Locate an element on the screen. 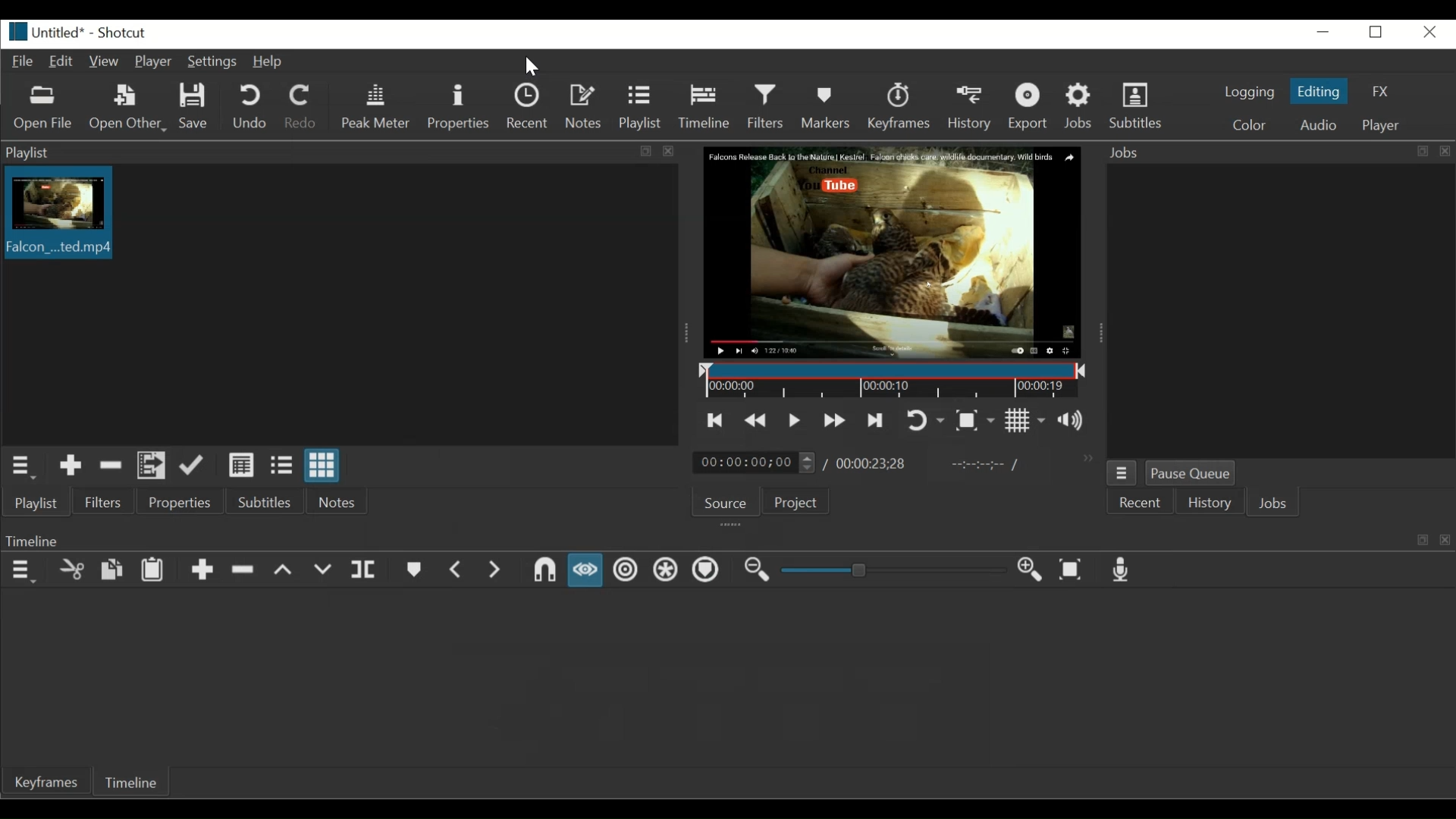  Open File is located at coordinates (47, 108).